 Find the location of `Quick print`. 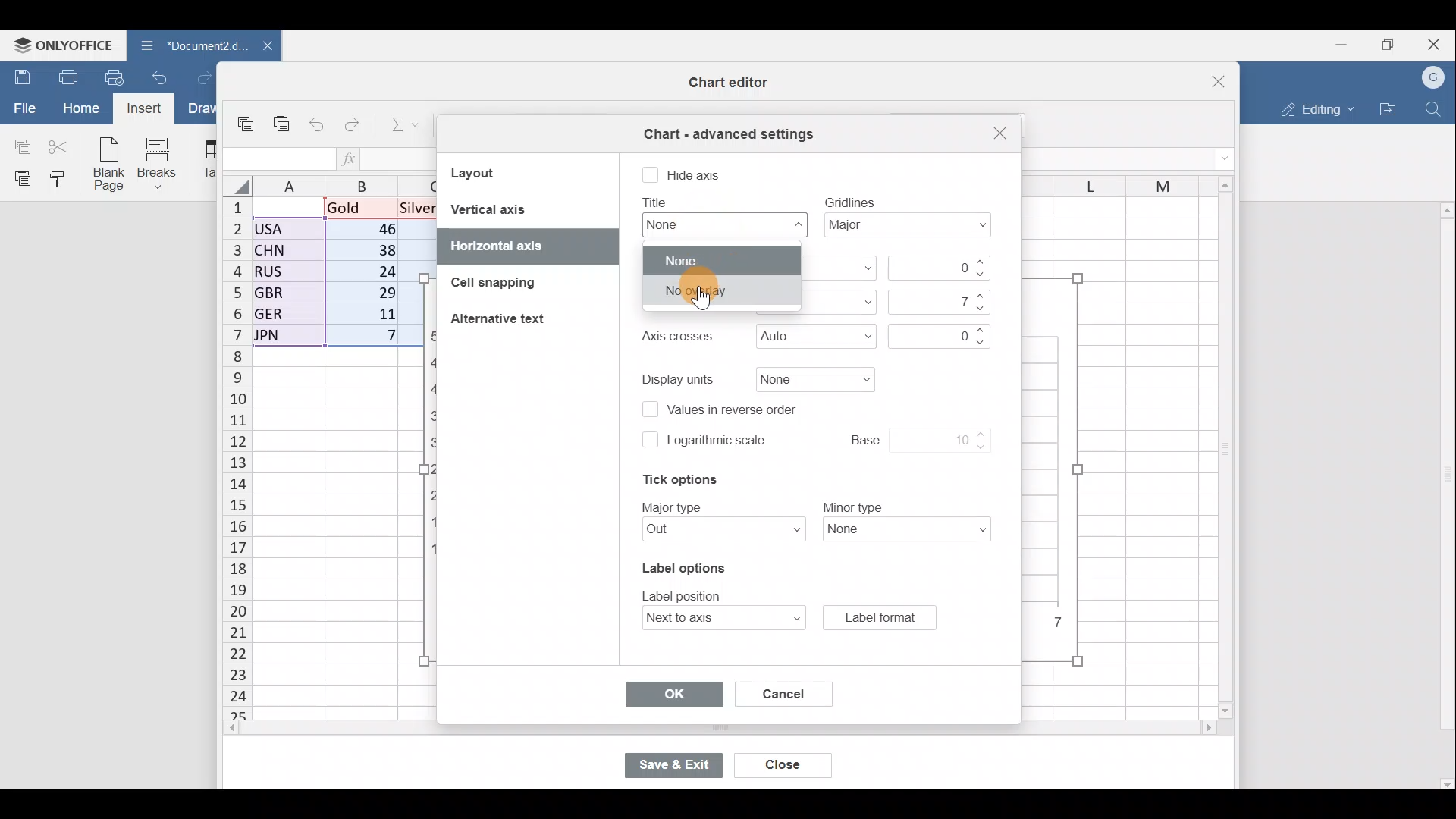

Quick print is located at coordinates (115, 77).